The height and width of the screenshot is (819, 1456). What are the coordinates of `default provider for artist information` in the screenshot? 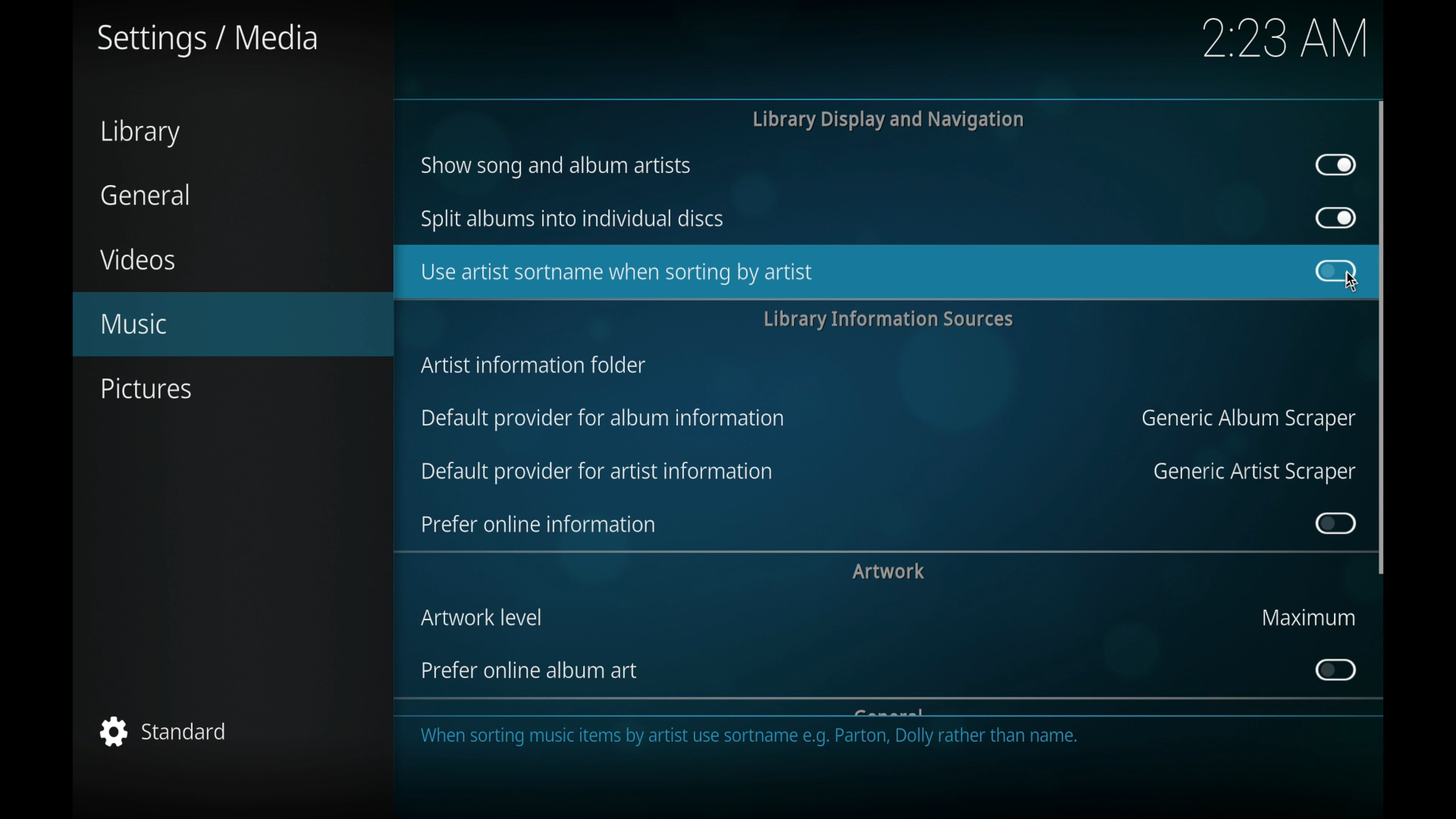 It's located at (596, 472).